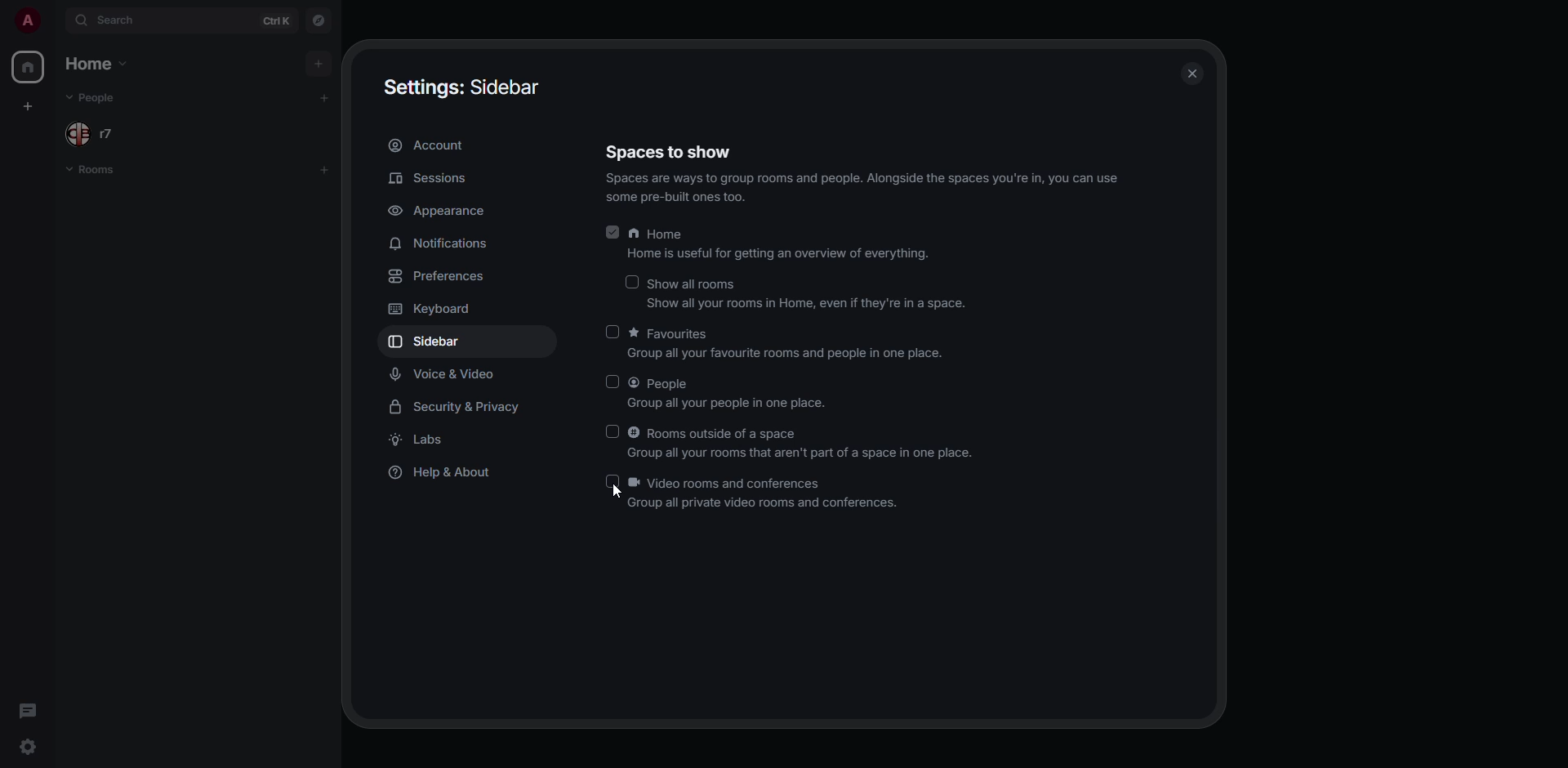  I want to click on add, so click(325, 172).